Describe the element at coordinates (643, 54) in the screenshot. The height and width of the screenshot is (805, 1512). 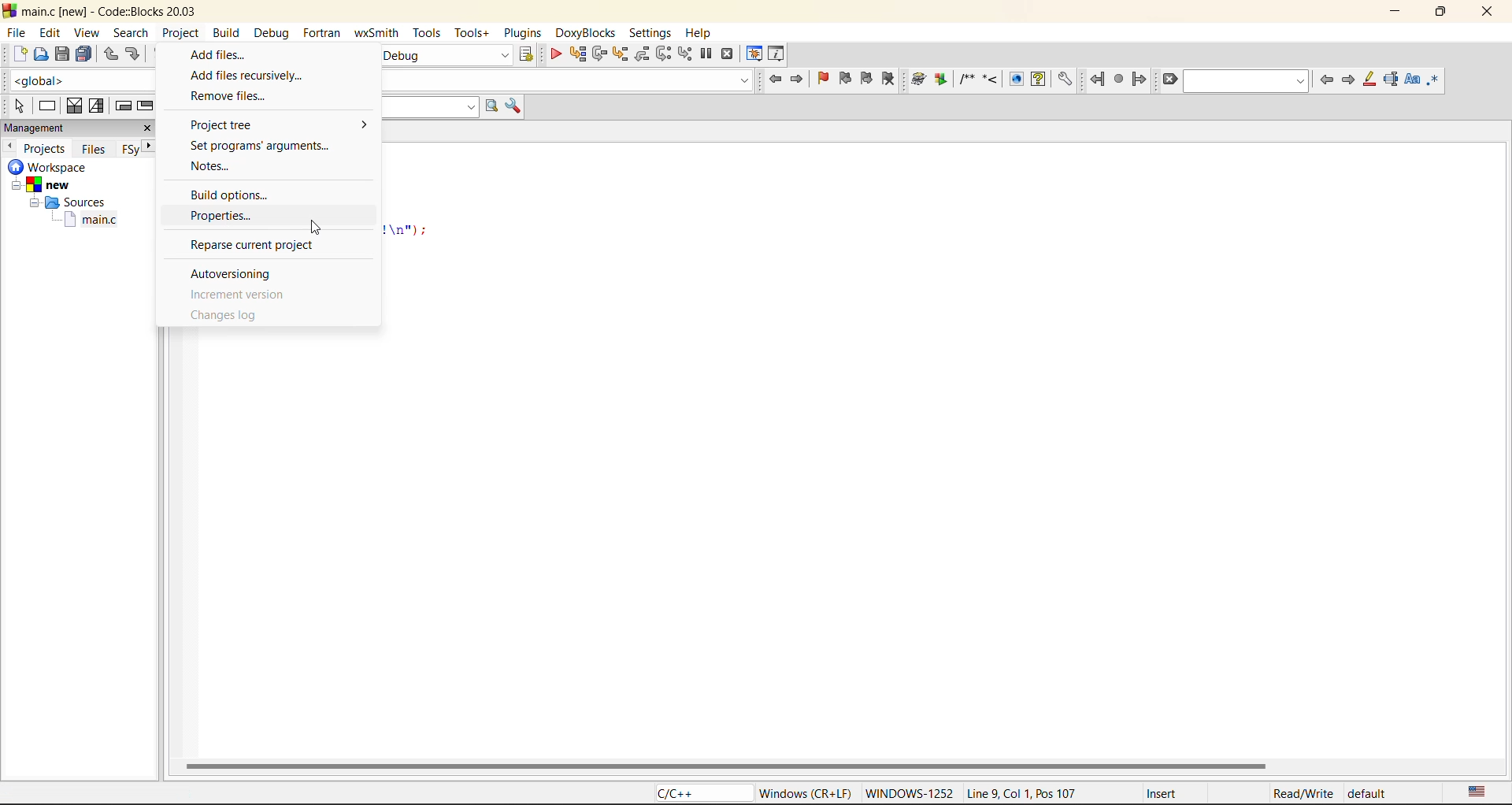
I see `step out` at that location.